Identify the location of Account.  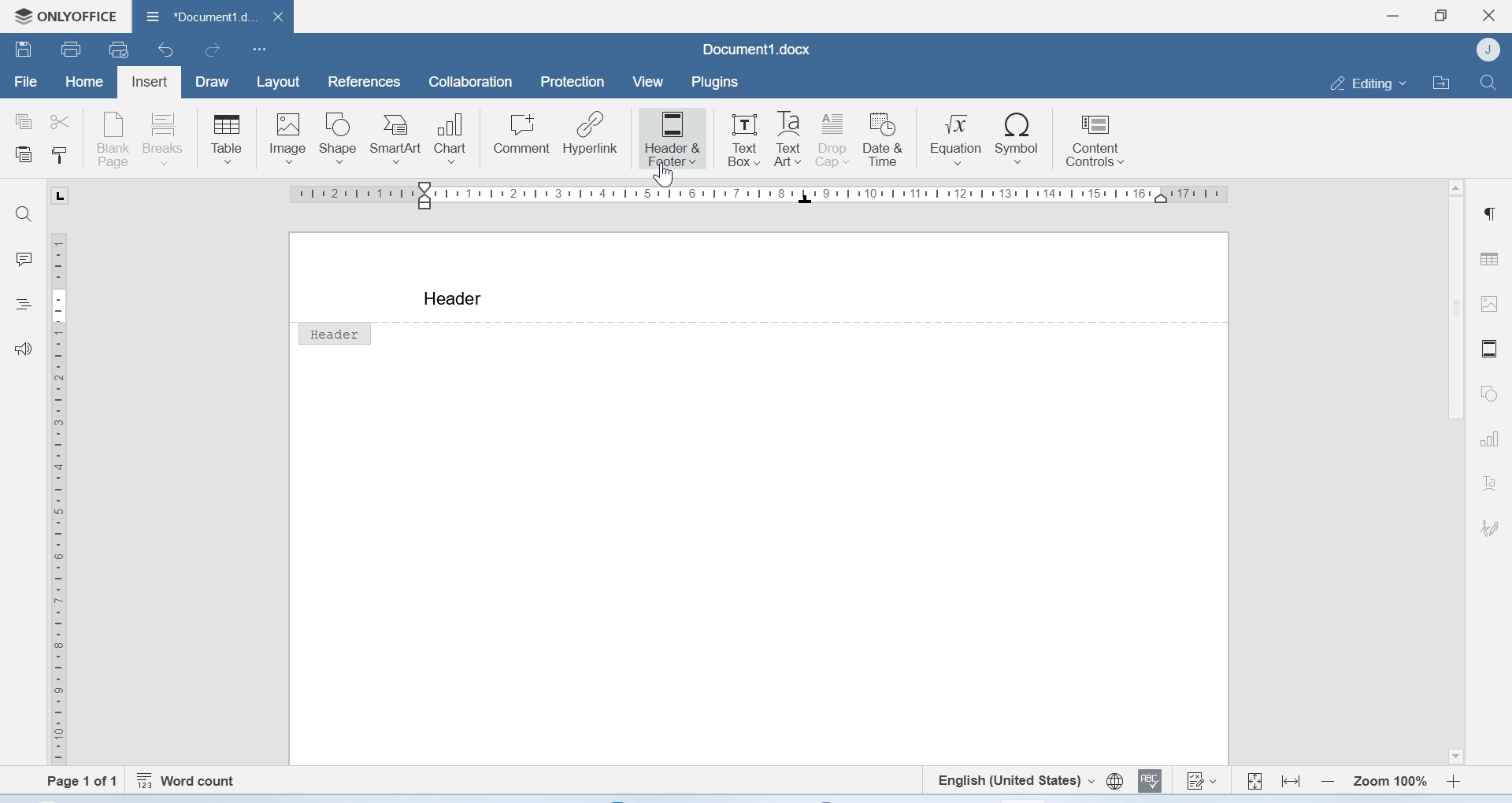
(1488, 50).